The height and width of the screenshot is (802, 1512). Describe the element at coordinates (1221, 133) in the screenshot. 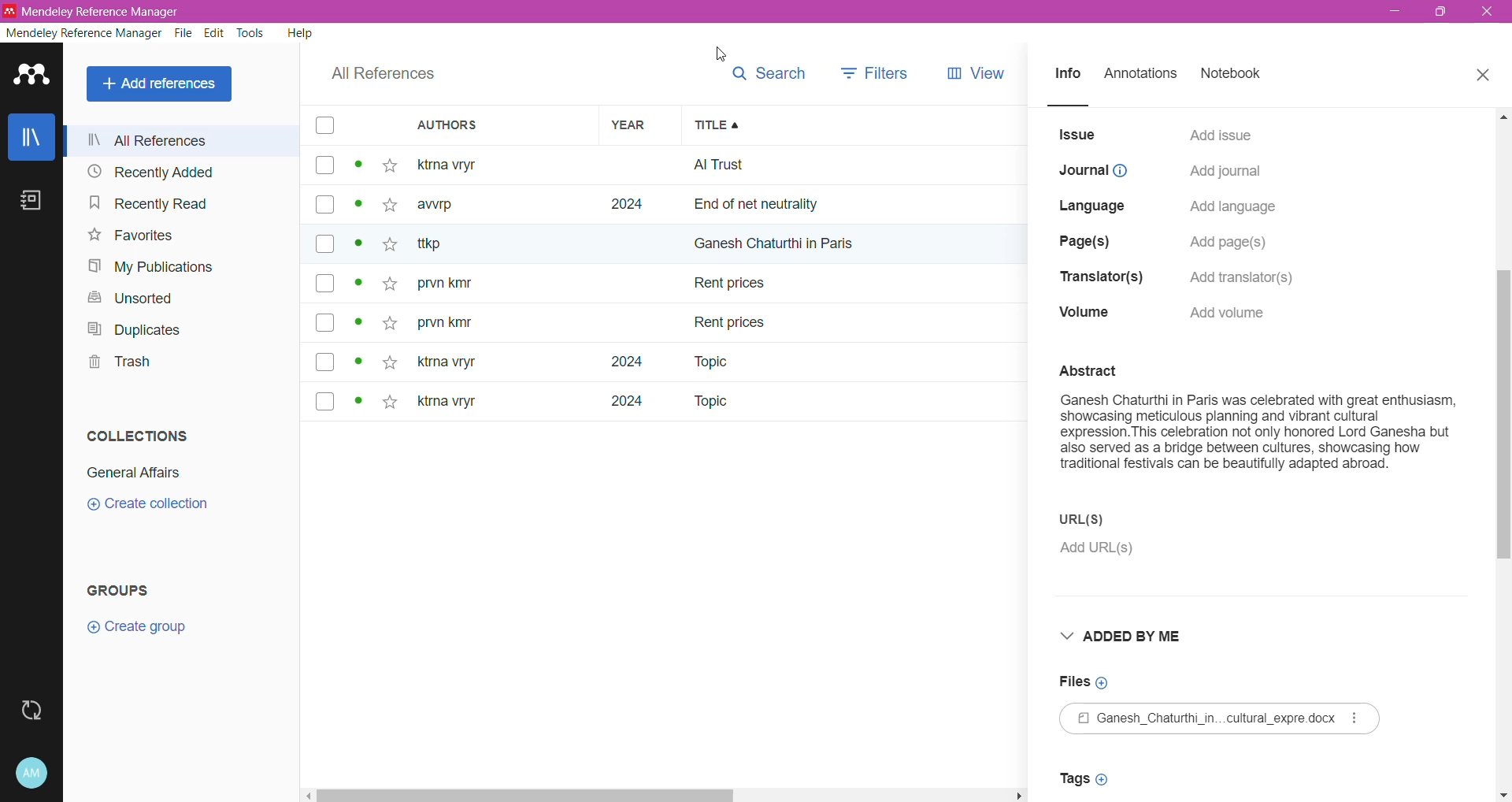

I see `Click to add Issue` at that location.